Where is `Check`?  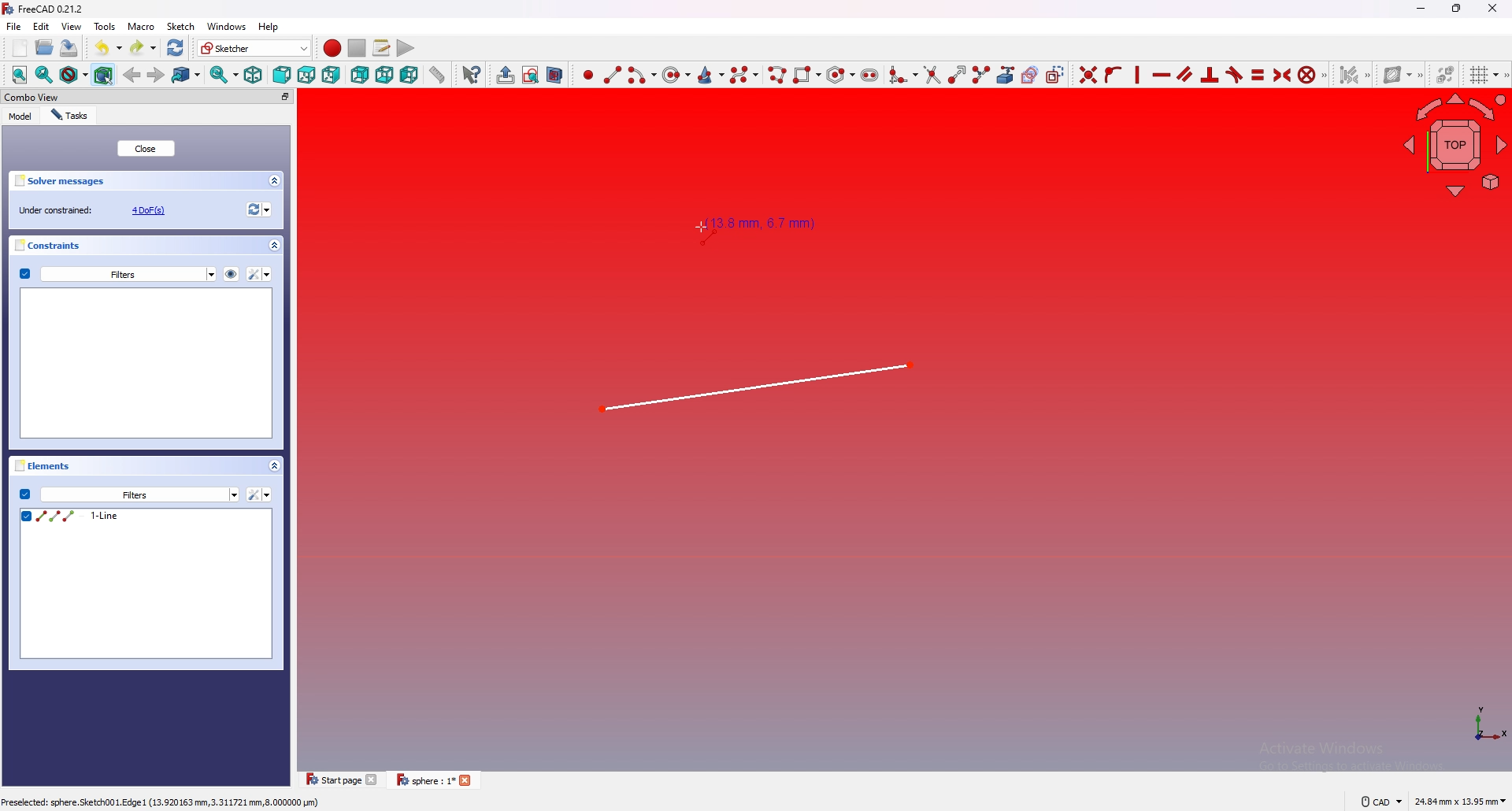
Check is located at coordinates (24, 274).